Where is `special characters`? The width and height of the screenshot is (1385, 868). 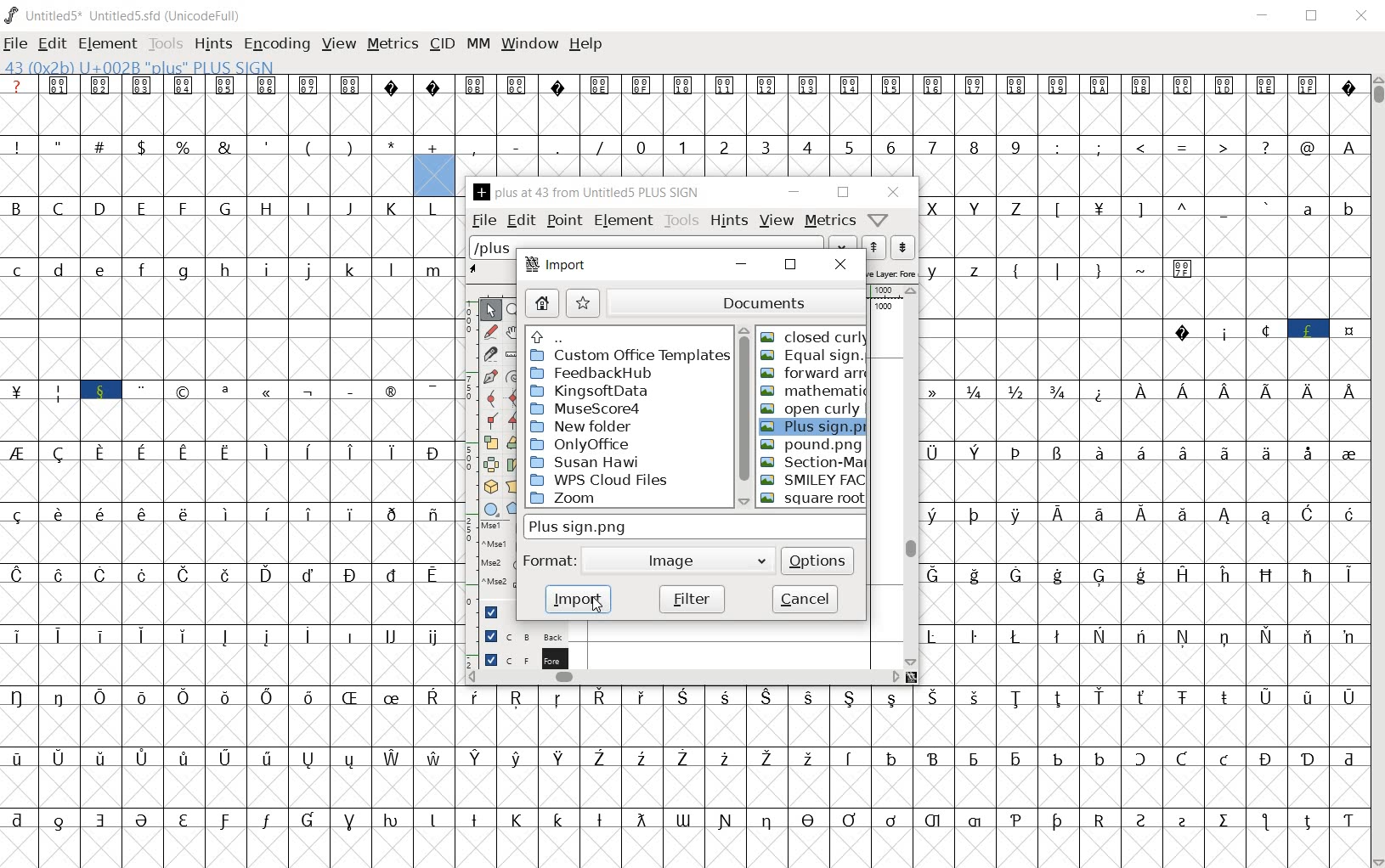
special characters is located at coordinates (293, 412).